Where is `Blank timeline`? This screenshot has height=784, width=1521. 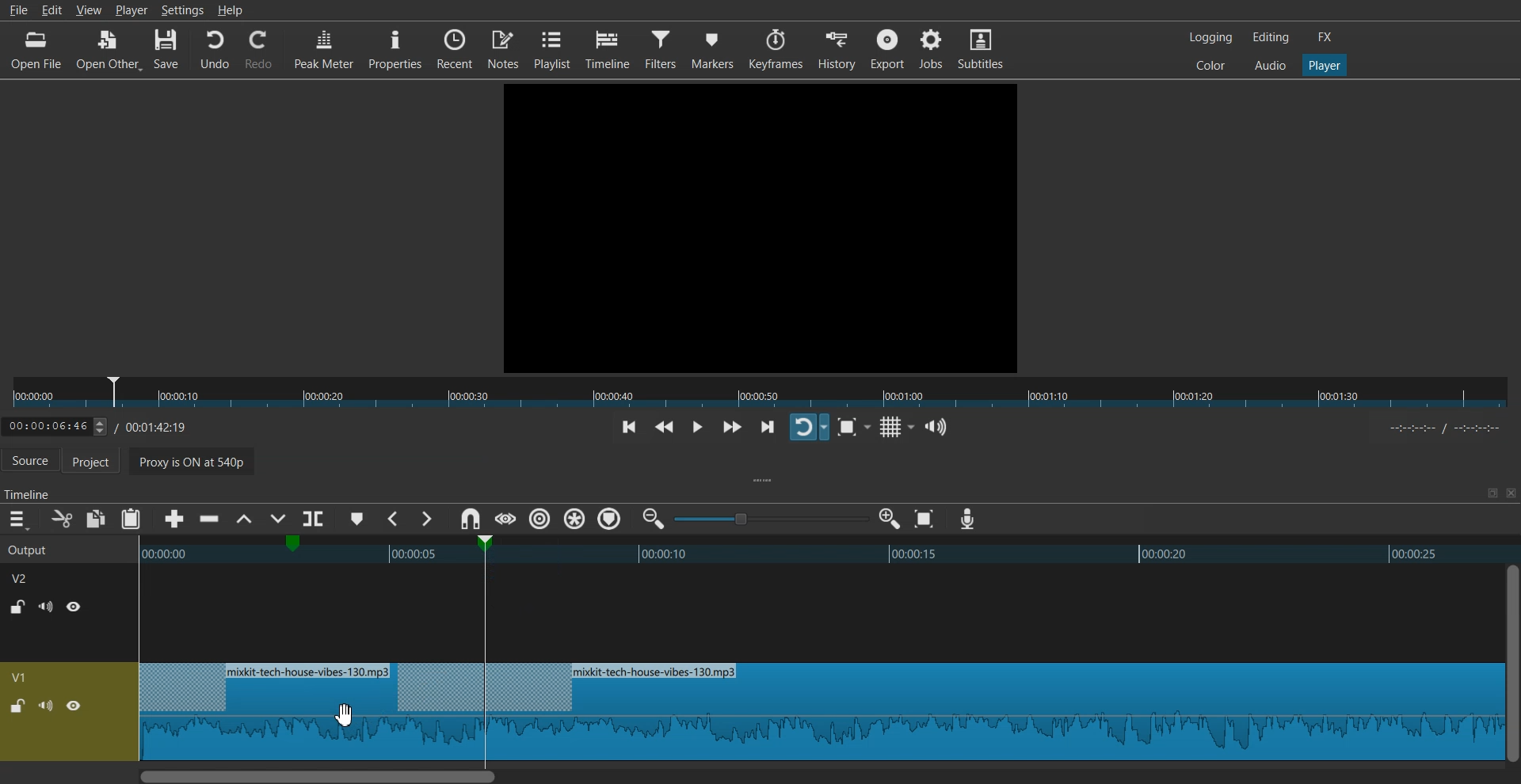
Blank timeline is located at coordinates (814, 711).